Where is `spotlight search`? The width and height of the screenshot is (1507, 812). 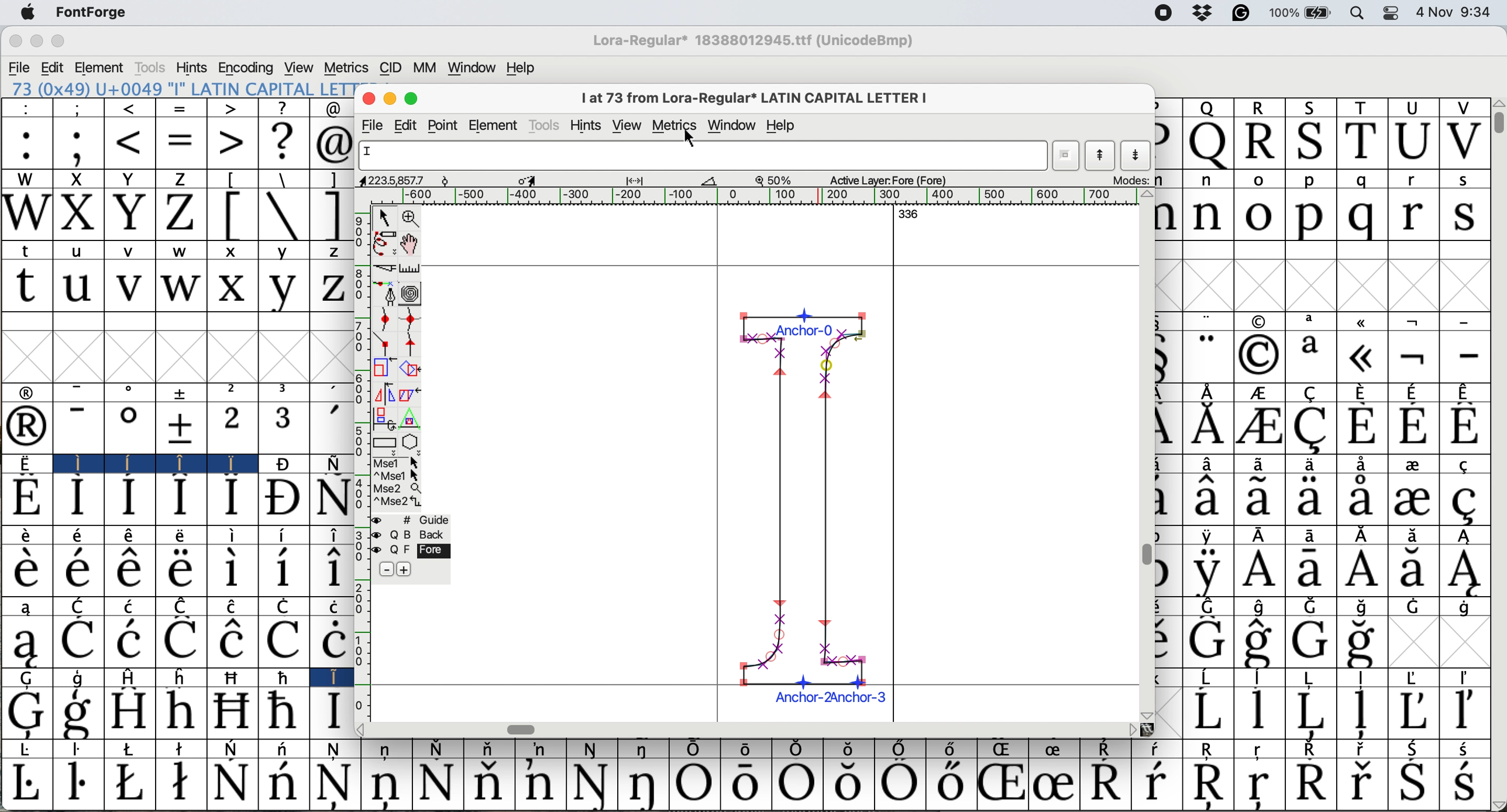 spotlight search is located at coordinates (1357, 15).